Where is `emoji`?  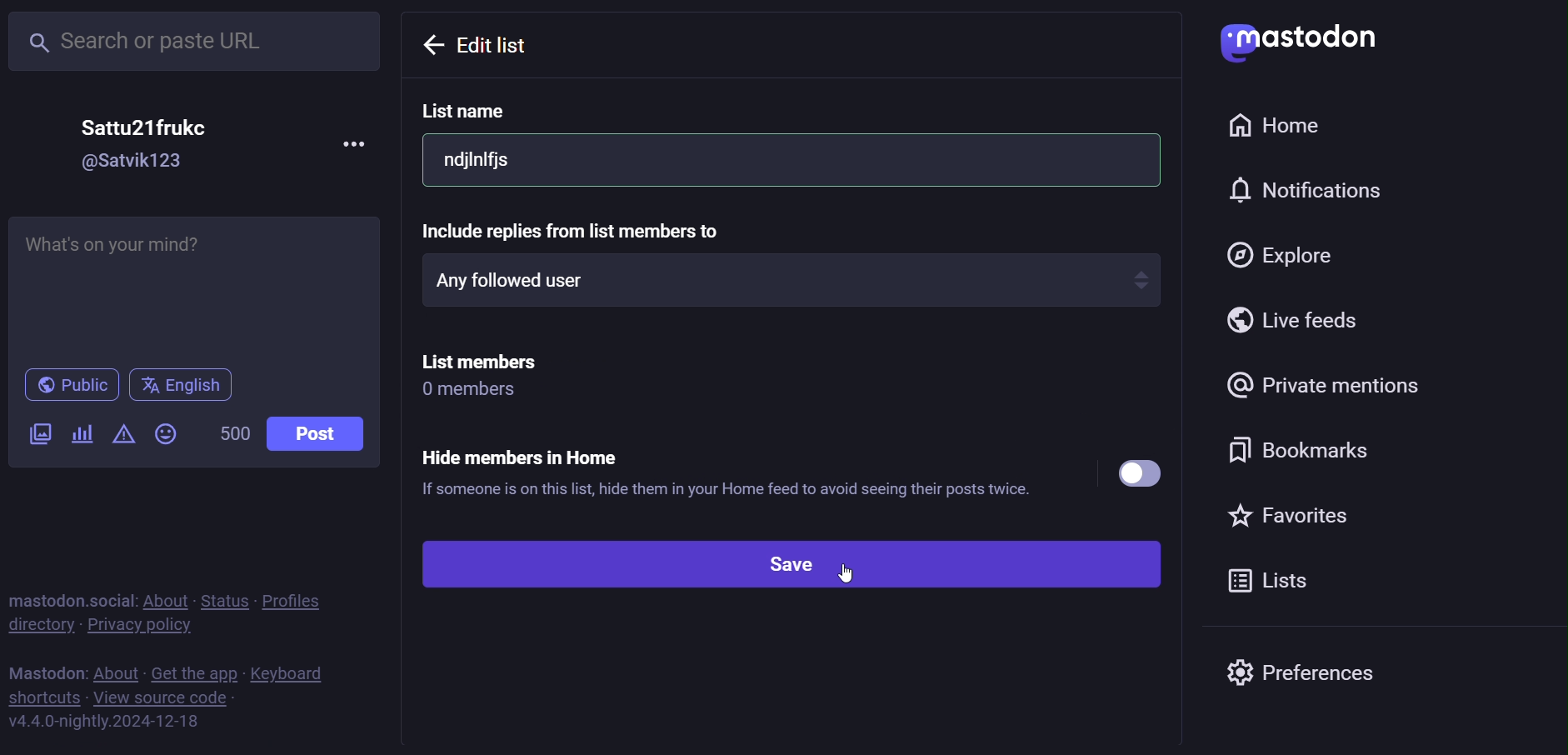 emoji is located at coordinates (165, 433).